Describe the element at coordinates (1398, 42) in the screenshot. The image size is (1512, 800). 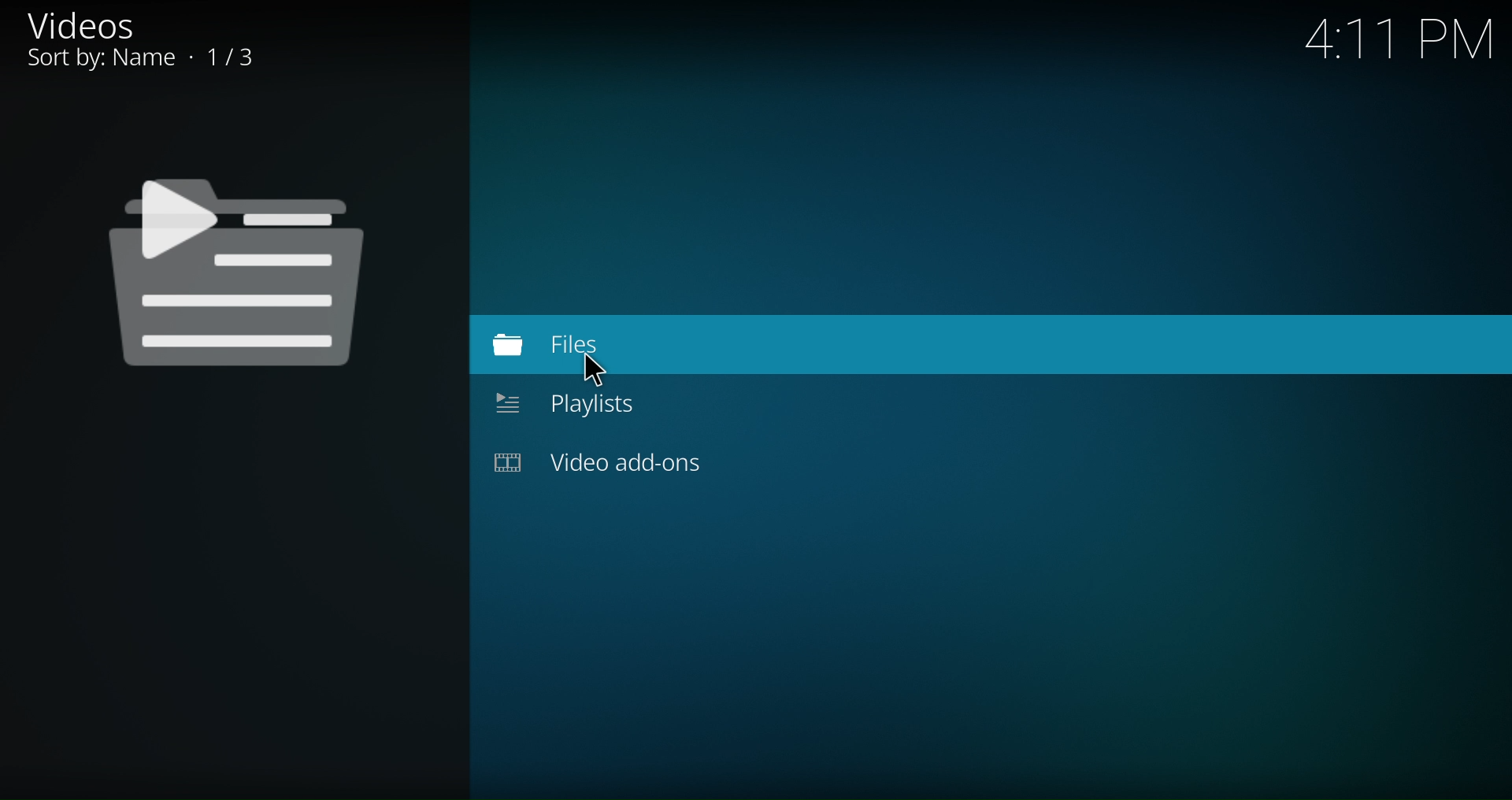
I see `4:11 PM` at that location.